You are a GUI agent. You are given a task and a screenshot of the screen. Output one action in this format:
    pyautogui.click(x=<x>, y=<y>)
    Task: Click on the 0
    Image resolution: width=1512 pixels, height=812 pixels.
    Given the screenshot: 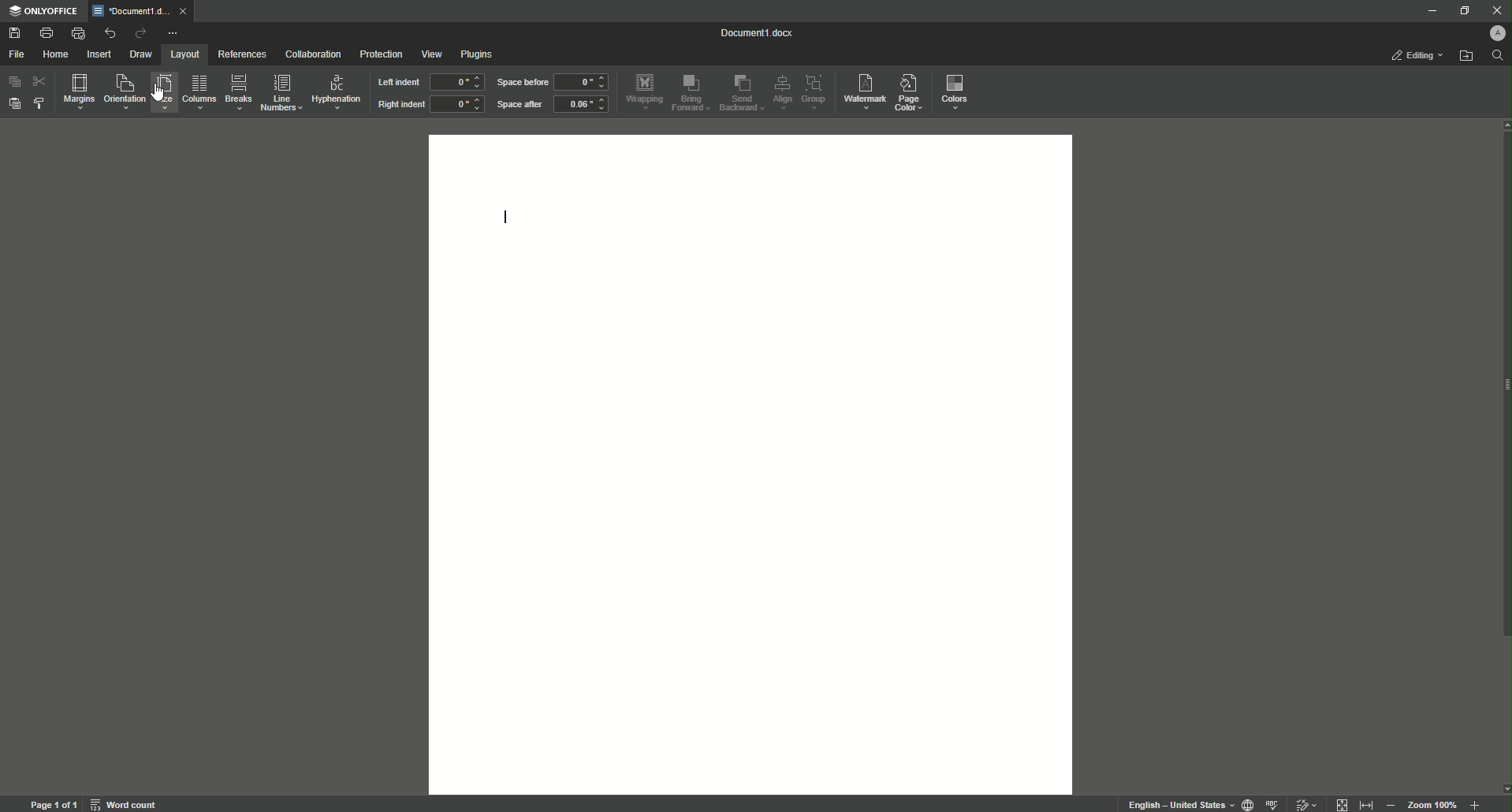 What is the action you would take?
    pyautogui.click(x=457, y=106)
    